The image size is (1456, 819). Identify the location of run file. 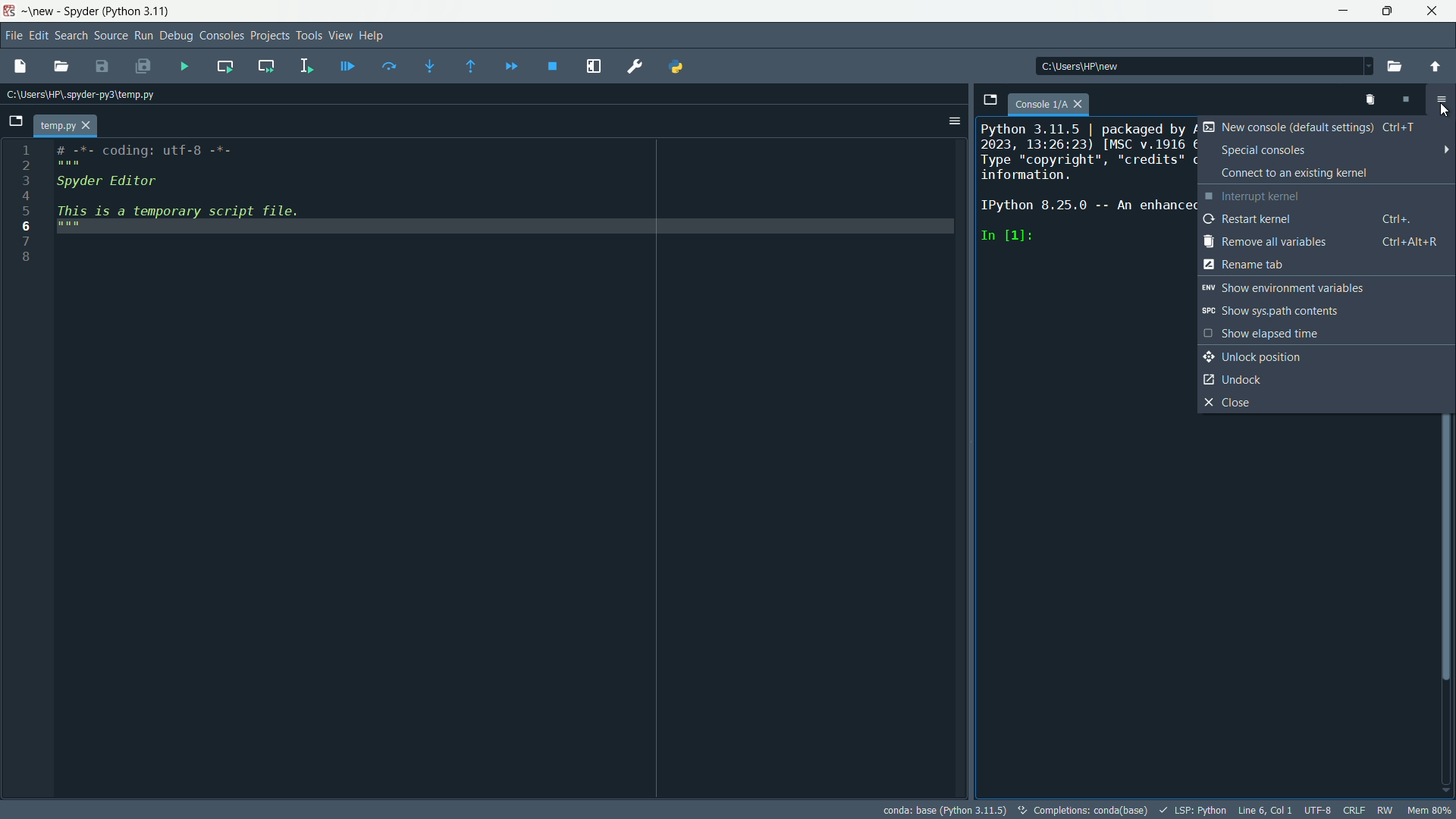
(187, 67).